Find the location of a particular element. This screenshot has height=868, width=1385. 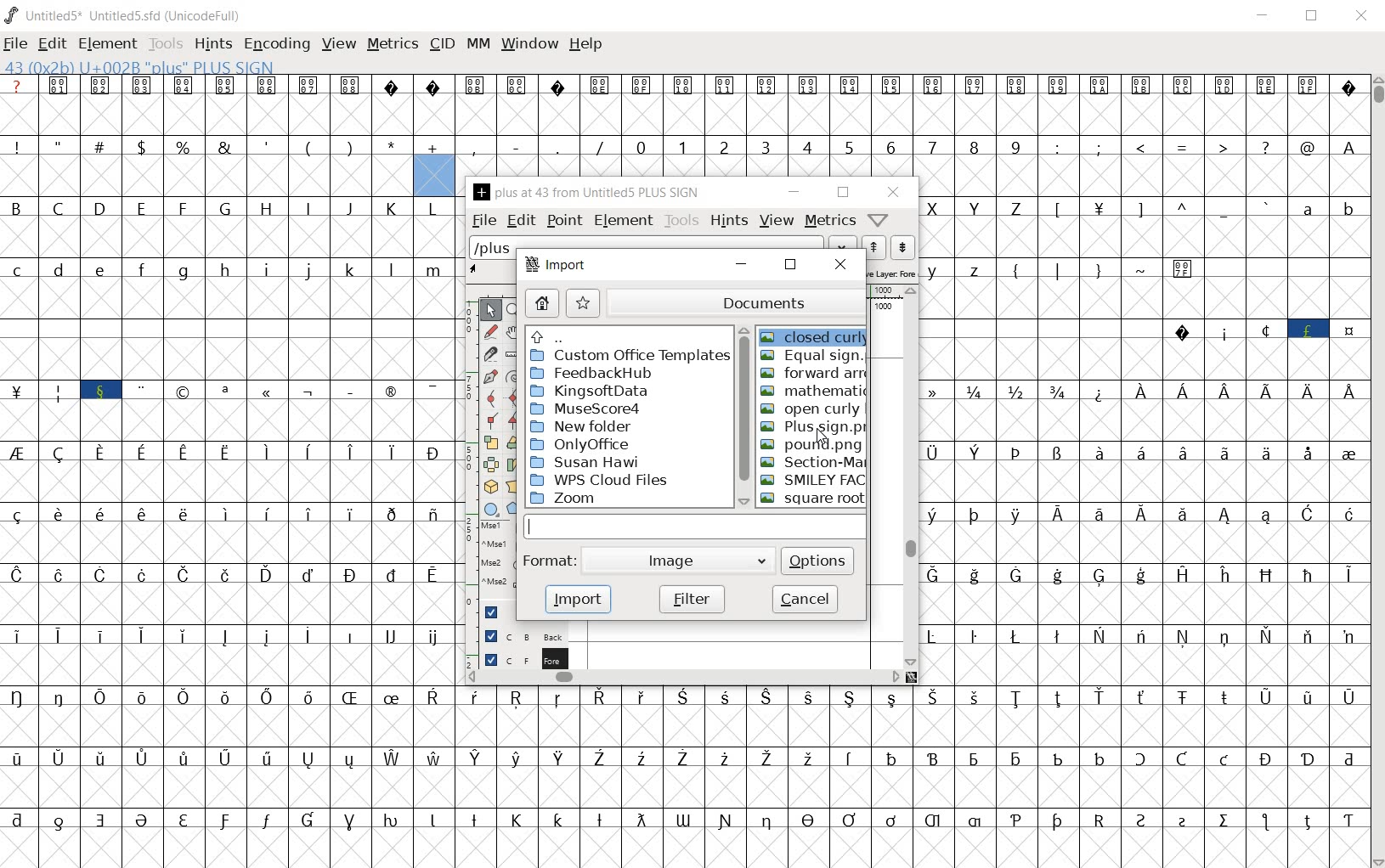

 is located at coordinates (1144, 657).